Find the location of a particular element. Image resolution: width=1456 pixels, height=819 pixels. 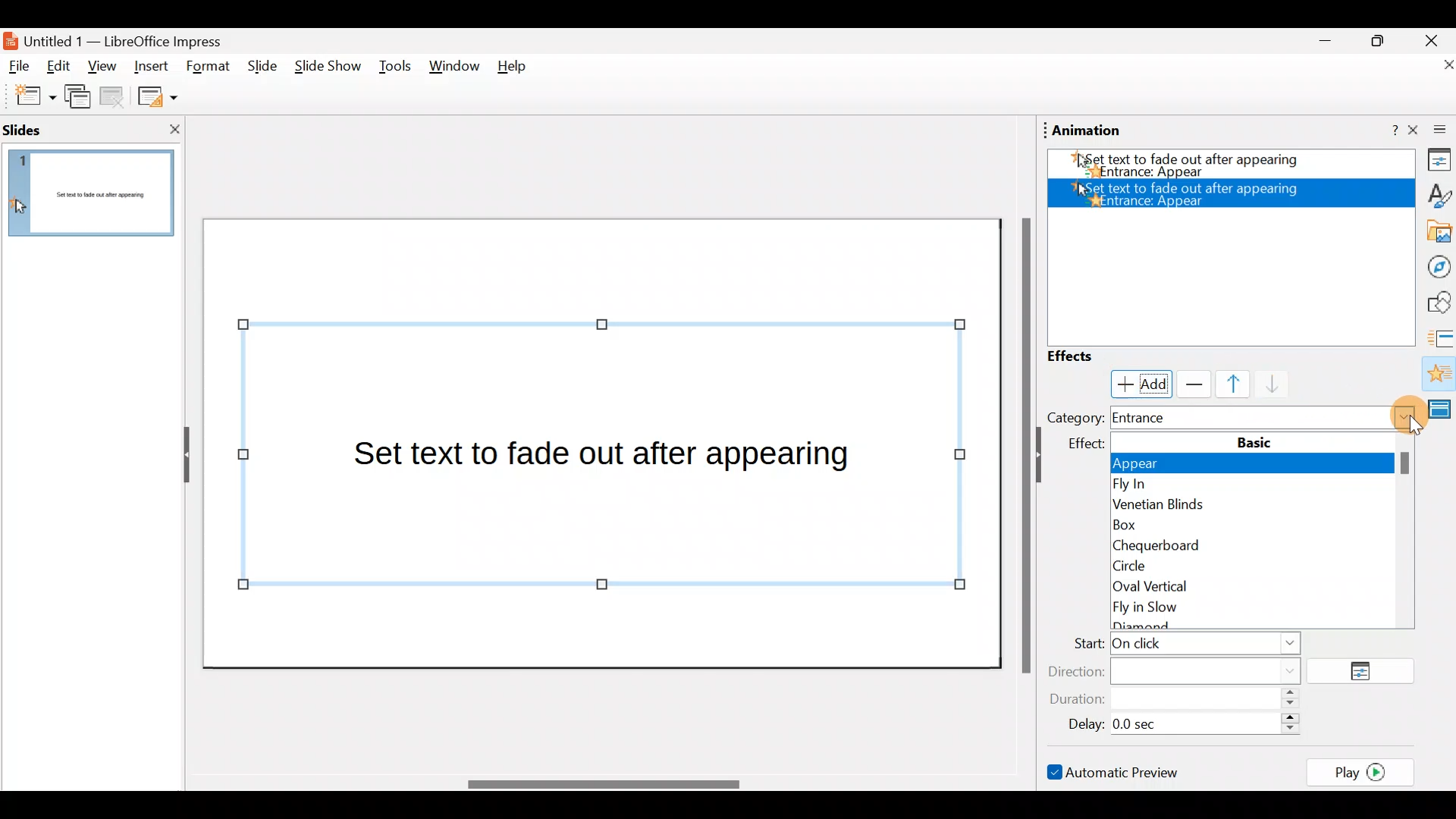

Delete slide is located at coordinates (115, 99).